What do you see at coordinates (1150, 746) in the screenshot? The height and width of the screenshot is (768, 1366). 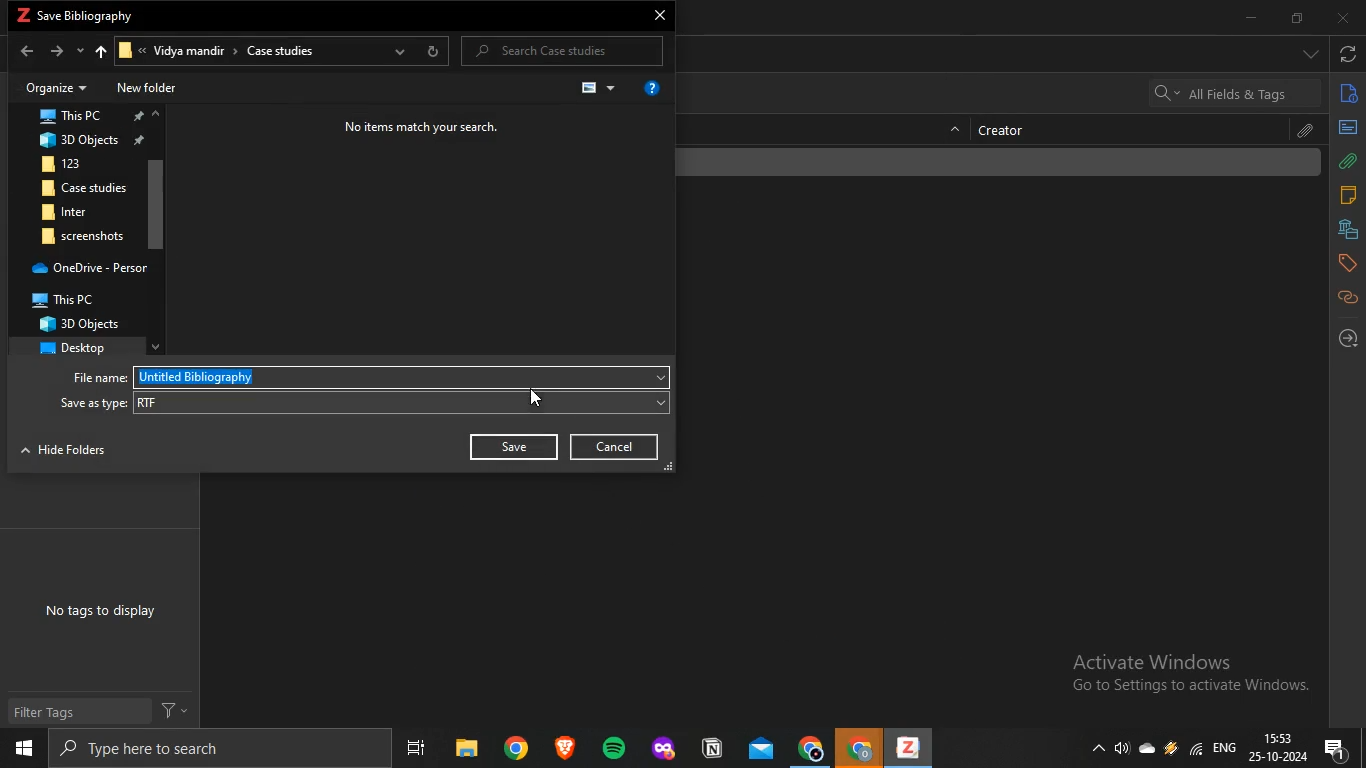 I see `cloud` at bounding box center [1150, 746].